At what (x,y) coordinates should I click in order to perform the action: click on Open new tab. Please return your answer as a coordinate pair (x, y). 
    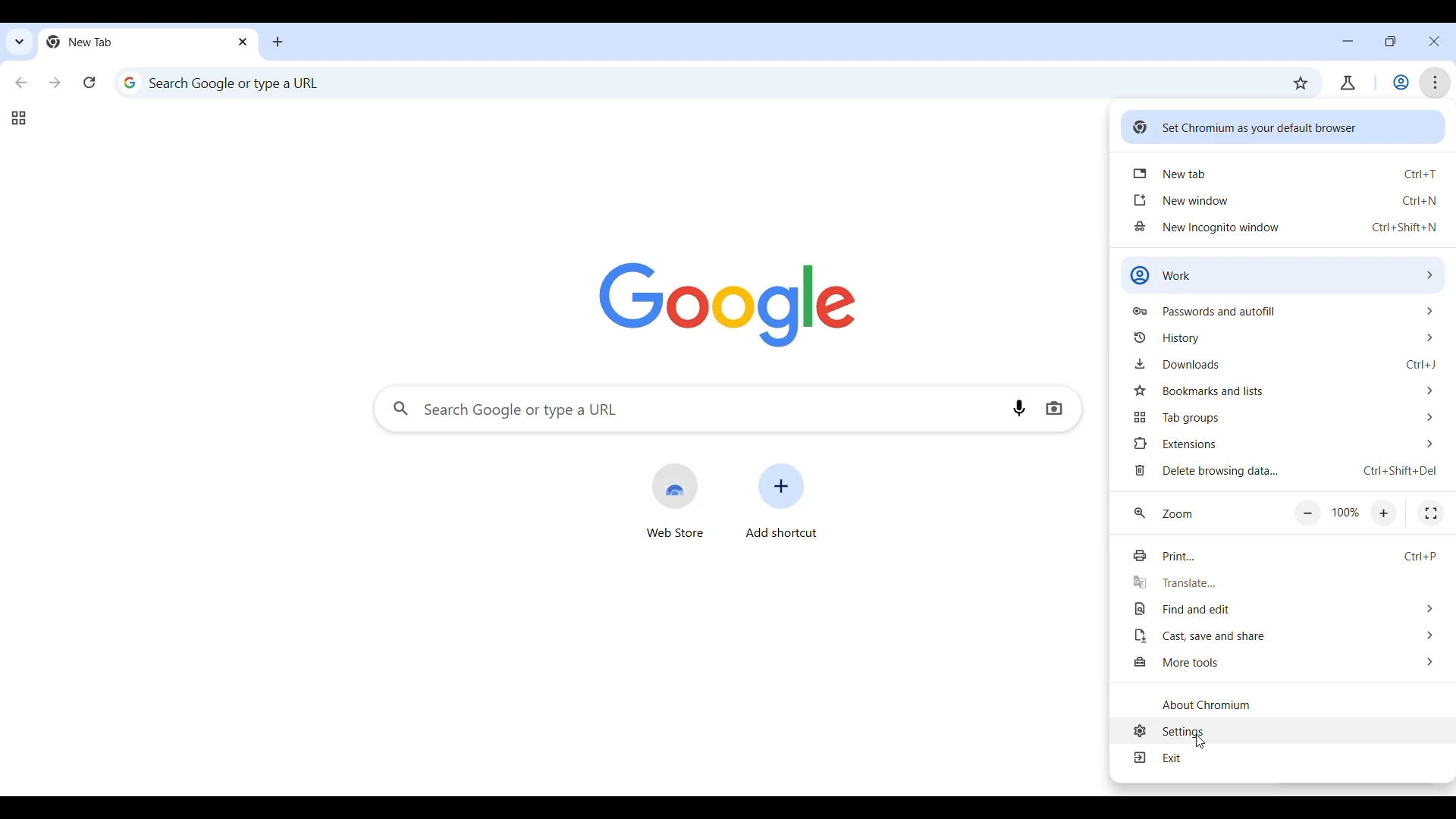
    Looking at the image, I should click on (1281, 173).